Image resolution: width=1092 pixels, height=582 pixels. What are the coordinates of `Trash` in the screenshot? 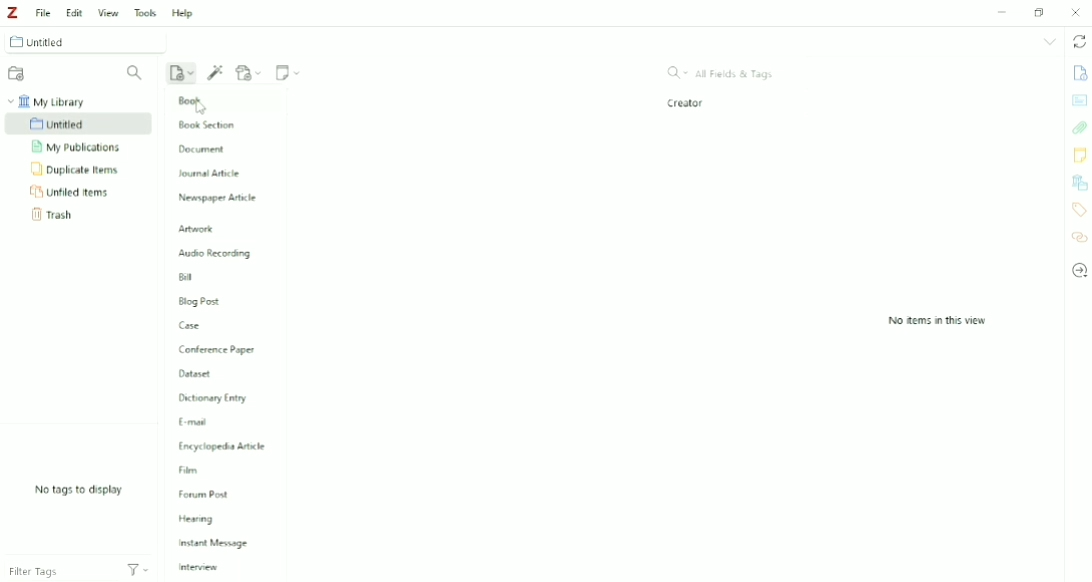 It's located at (61, 214).